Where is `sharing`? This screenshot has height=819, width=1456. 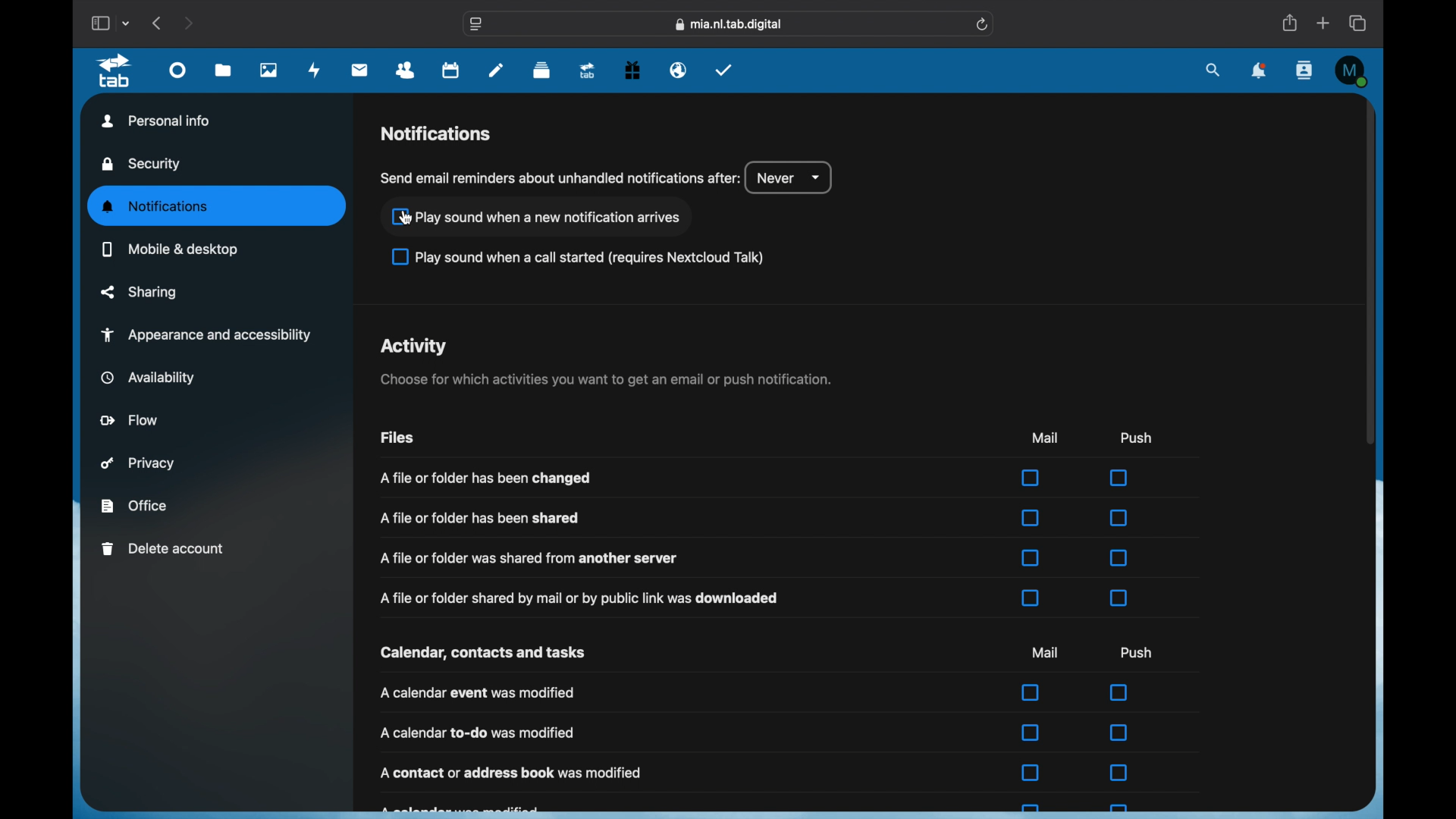 sharing is located at coordinates (140, 292).